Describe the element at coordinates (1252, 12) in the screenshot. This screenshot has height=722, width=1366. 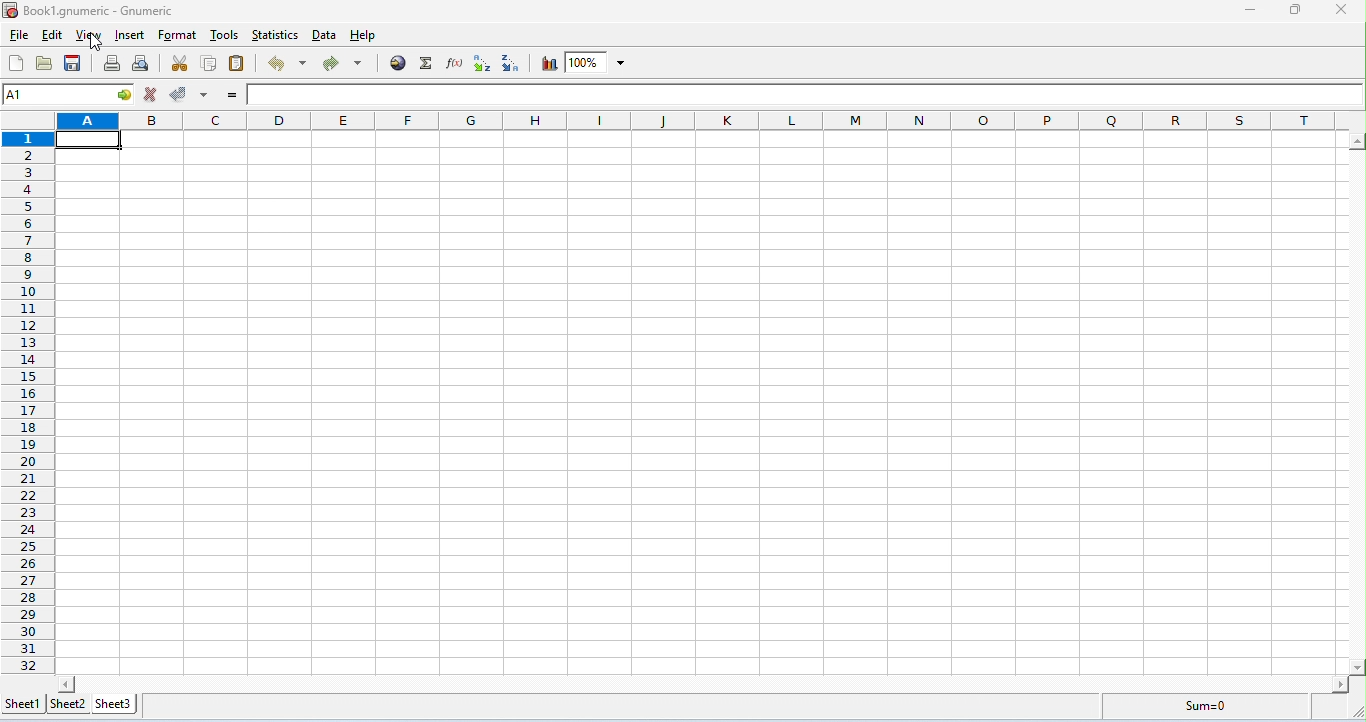
I see `minimize` at that location.